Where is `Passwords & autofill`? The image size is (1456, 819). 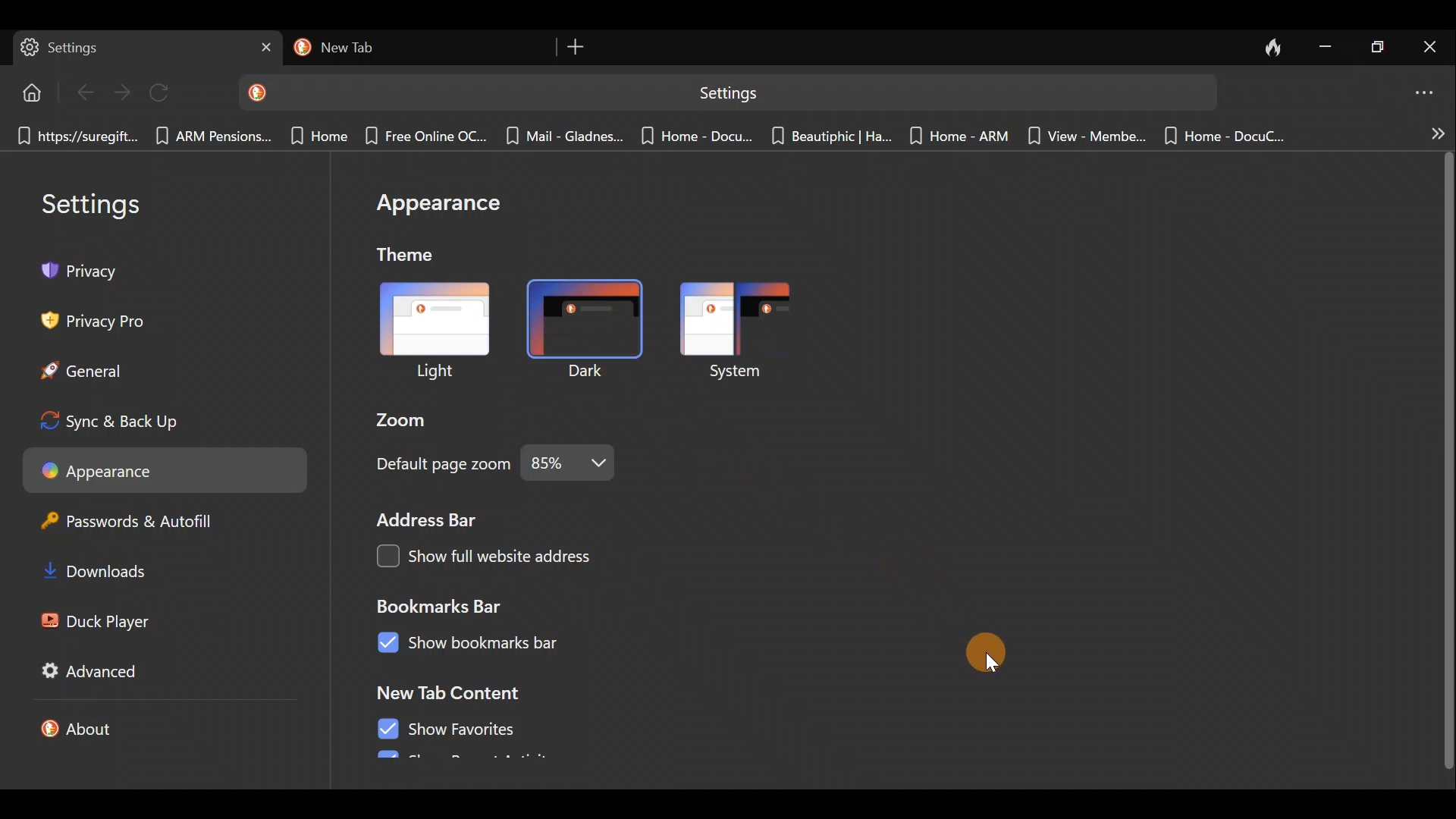 Passwords & autofill is located at coordinates (128, 520).